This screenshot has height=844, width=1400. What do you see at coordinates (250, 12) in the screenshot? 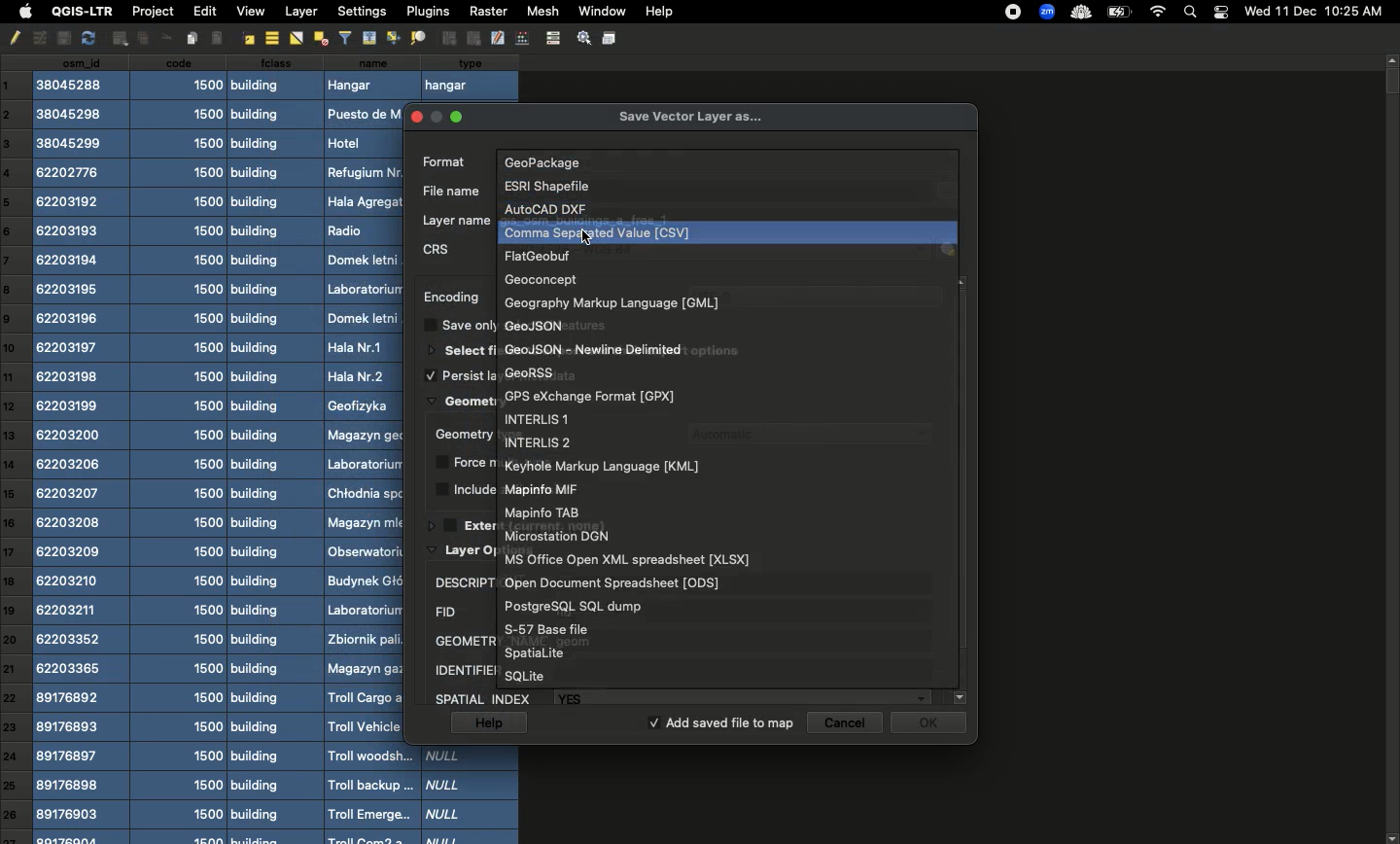
I see `View` at bounding box center [250, 12].